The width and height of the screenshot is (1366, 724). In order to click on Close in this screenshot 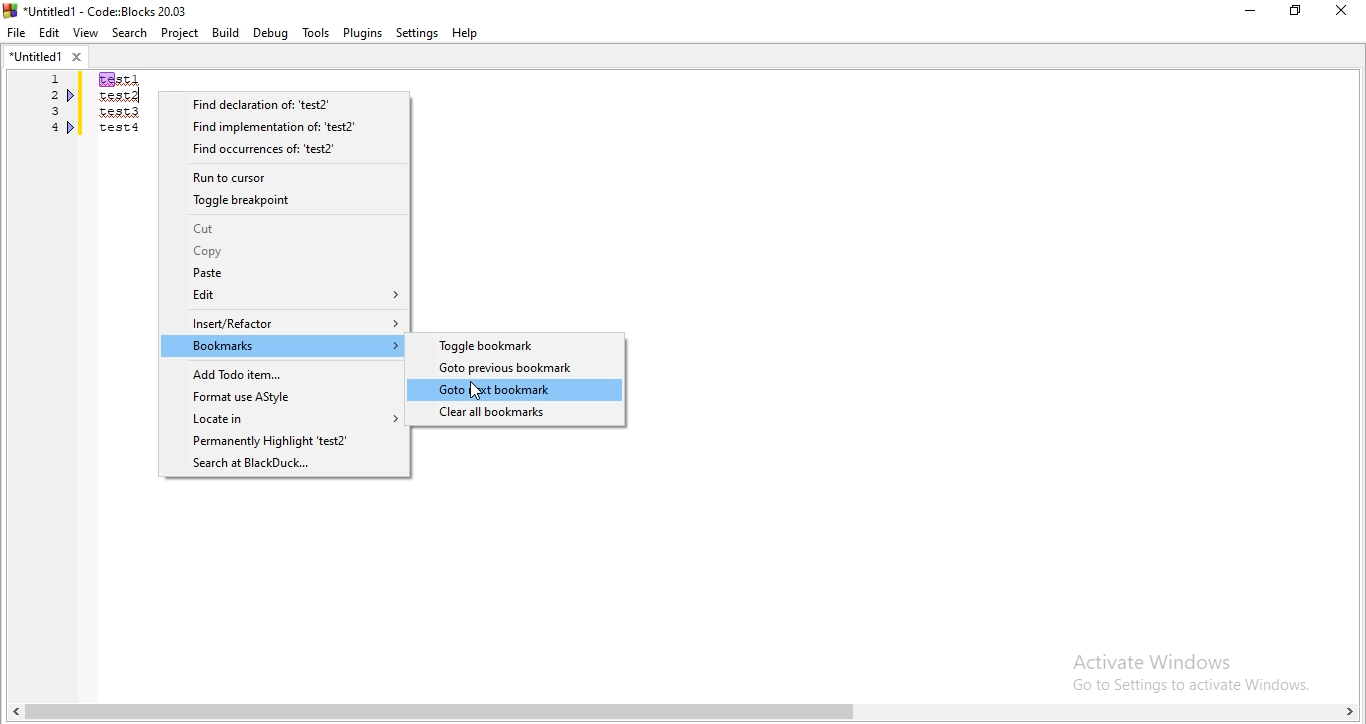, I will do `click(1342, 10)`.